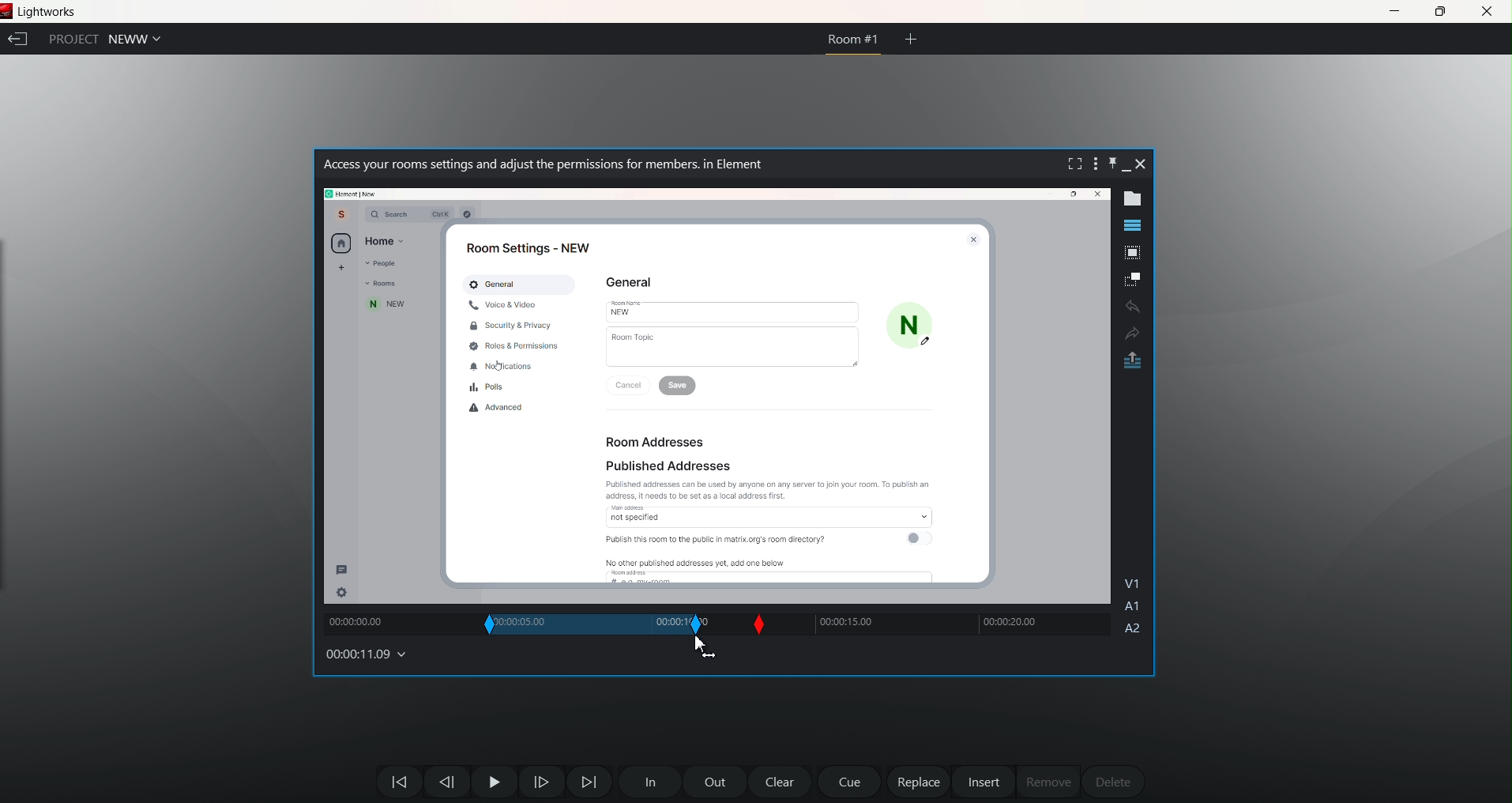 The height and width of the screenshot is (803, 1512). What do you see at coordinates (365, 655) in the screenshot?
I see `00:00:11.09 (timecodes and reels)` at bounding box center [365, 655].